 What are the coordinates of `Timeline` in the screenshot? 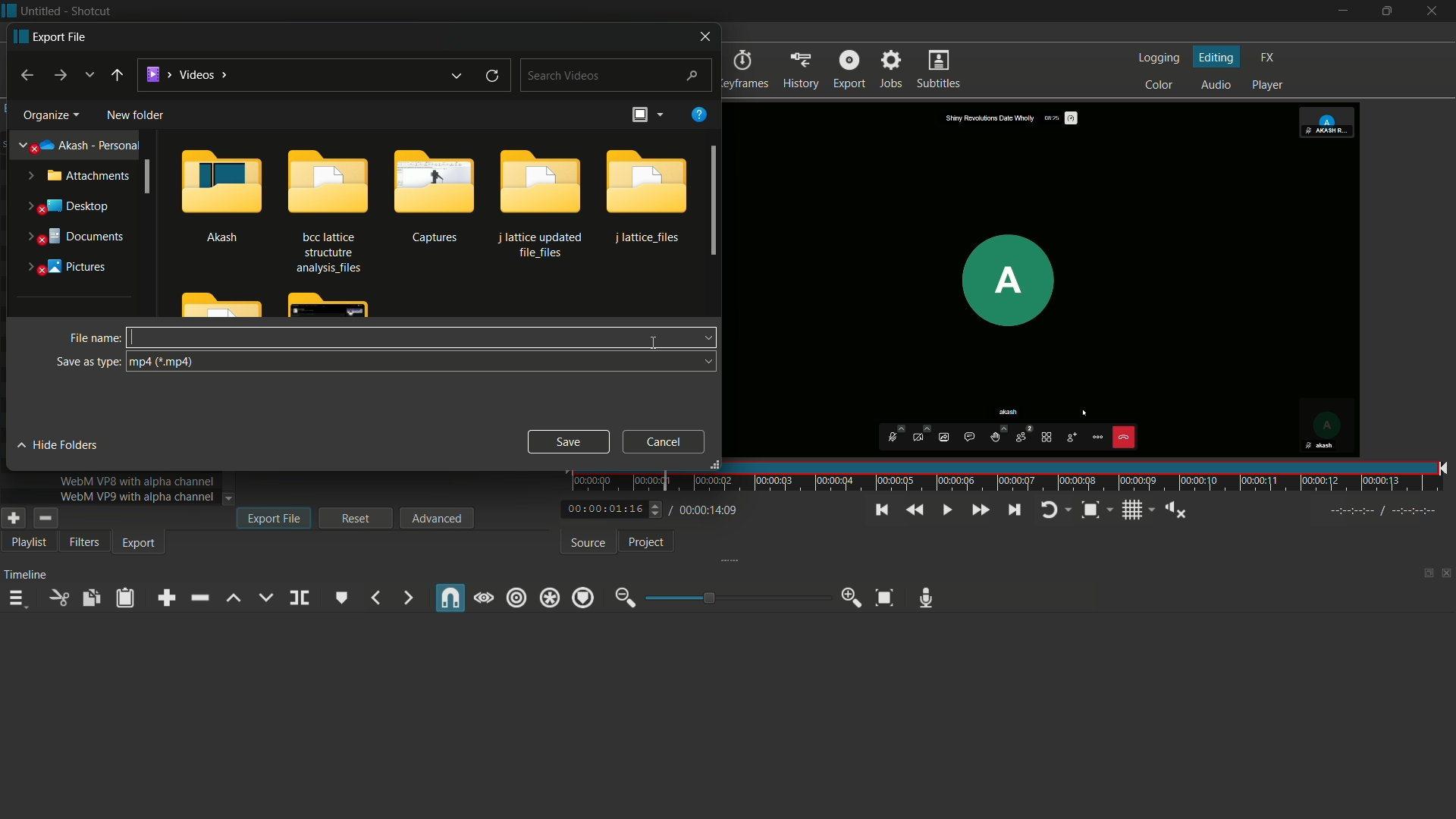 It's located at (29, 573).